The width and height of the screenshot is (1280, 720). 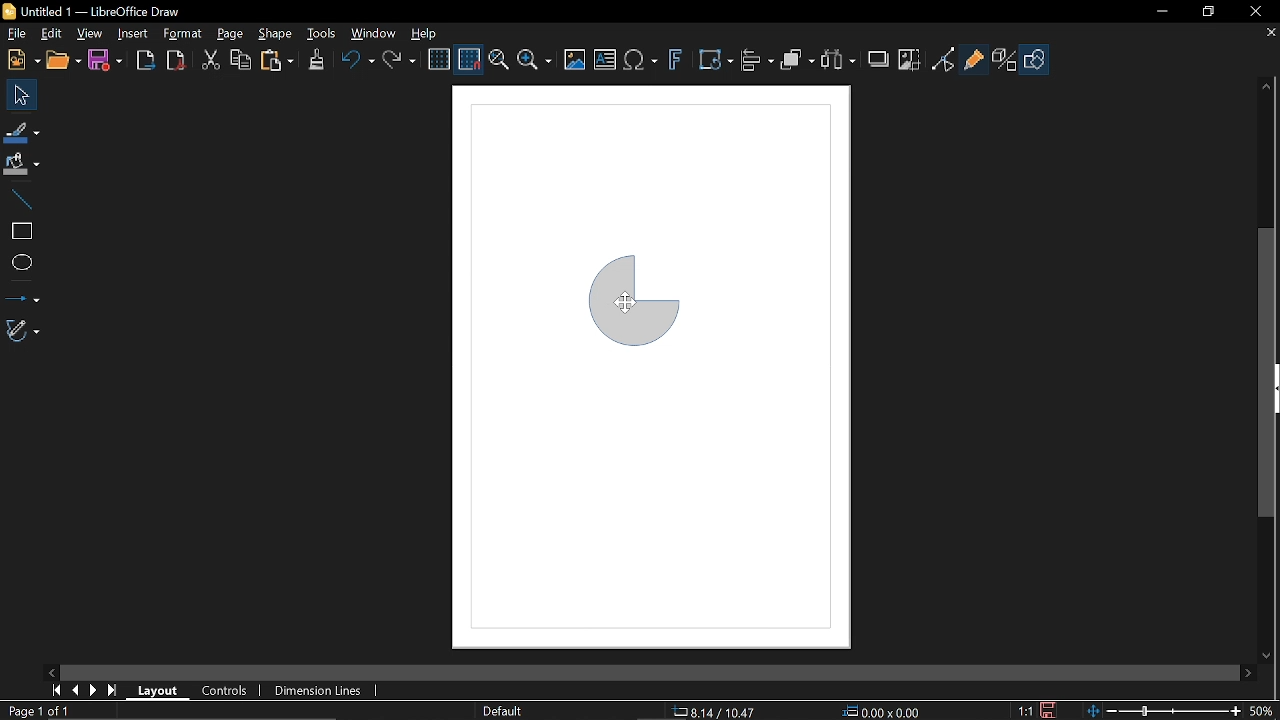 What do you see at coordinates (715, 712) in the screenshot?
I see `8.14/10.47(position)` at bounding box center [715, 712].